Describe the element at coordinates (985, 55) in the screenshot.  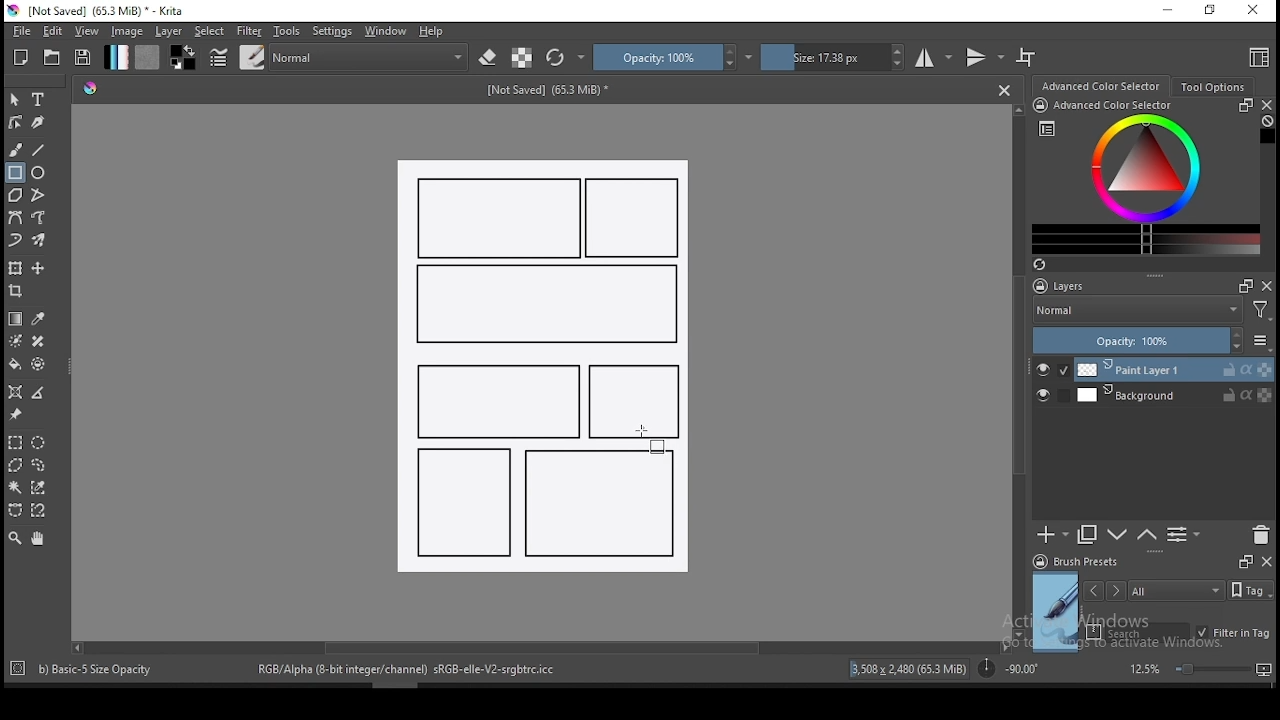
I see `` at that location.